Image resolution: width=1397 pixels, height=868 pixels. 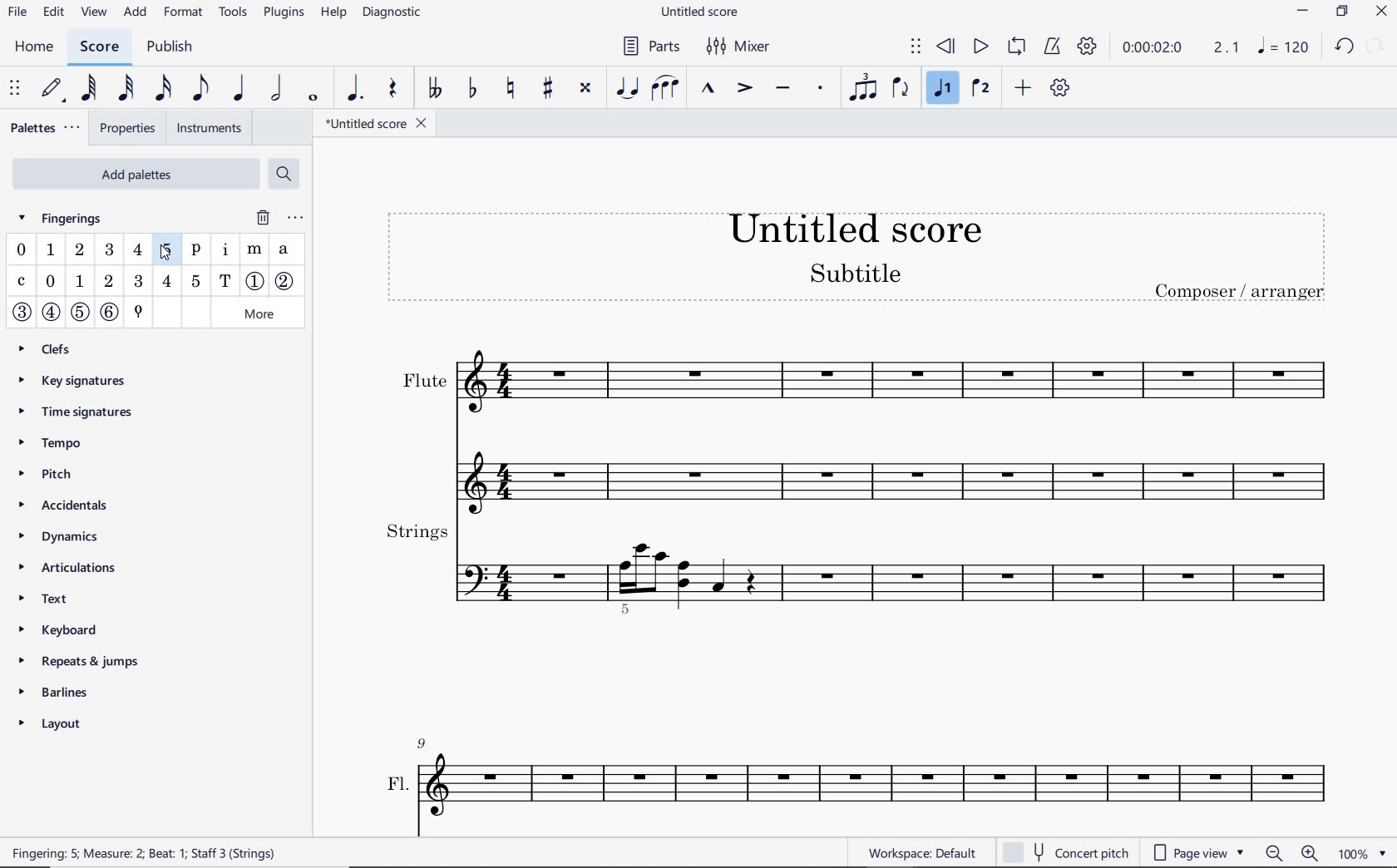 I want to click on edit, so click(x=53, y=10).